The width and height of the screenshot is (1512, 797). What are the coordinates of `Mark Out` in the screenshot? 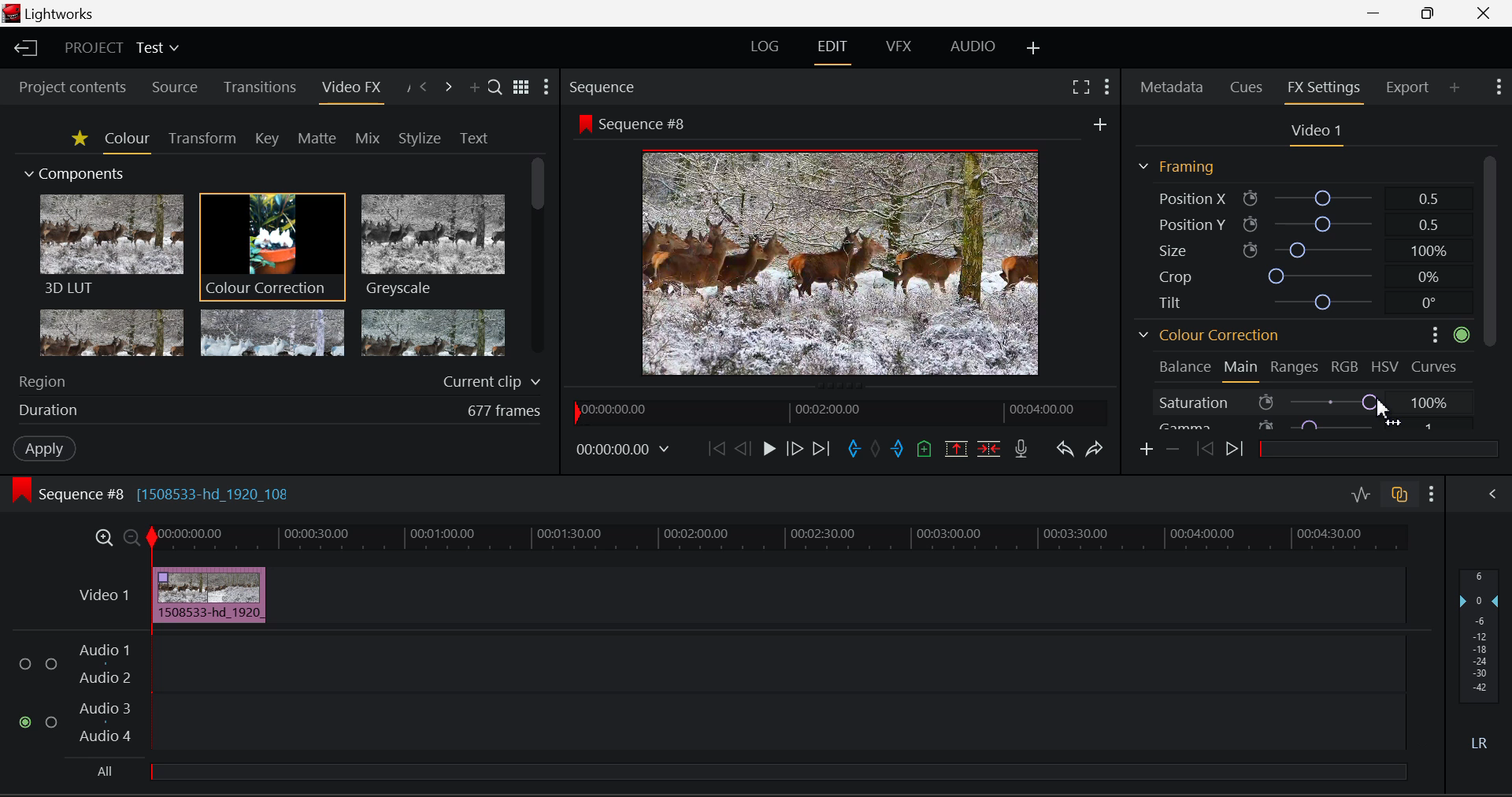 It's located at (898, 449).